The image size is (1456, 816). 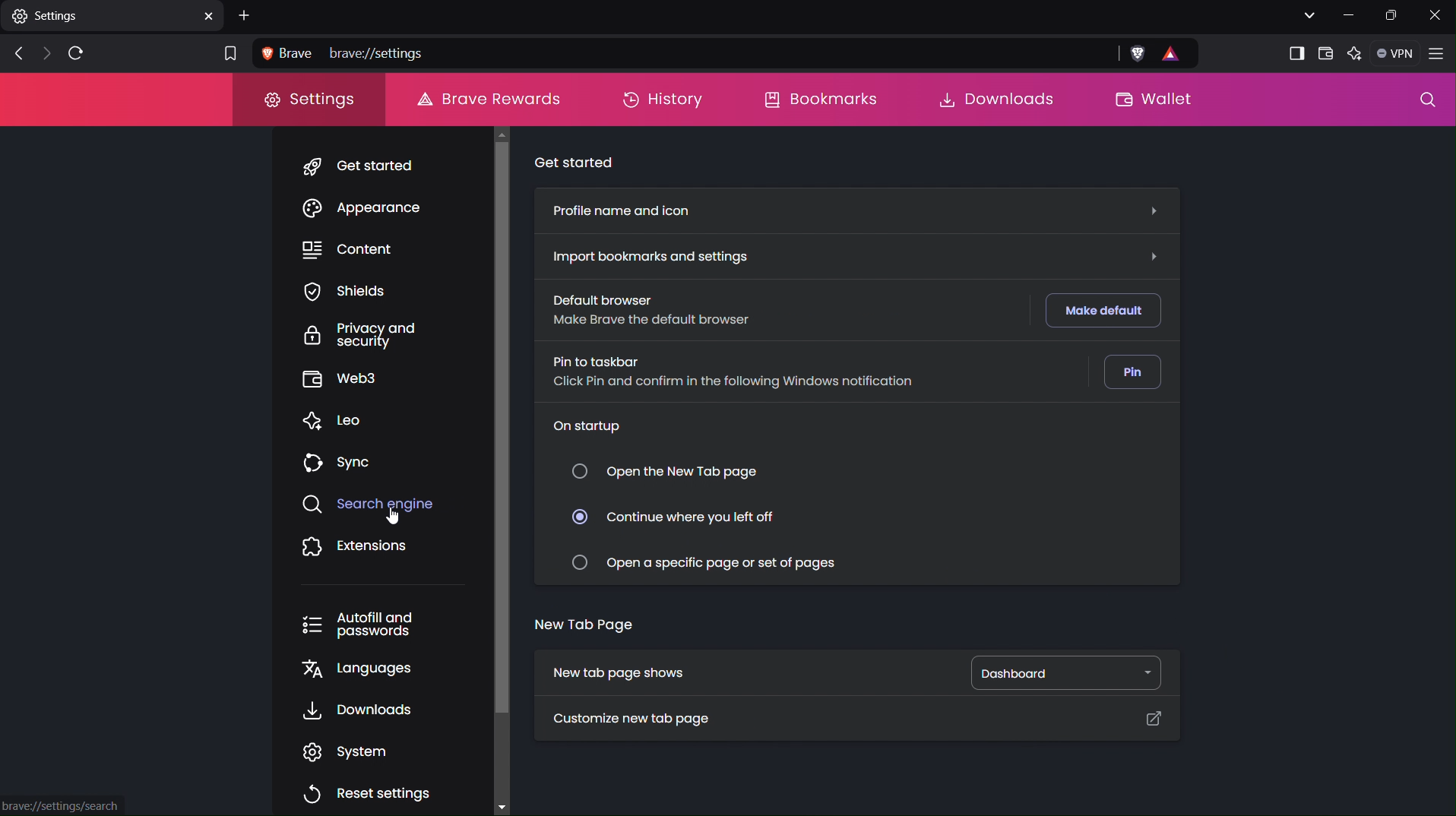 I want to click on New Tab Page, so click(x=581, y=622).